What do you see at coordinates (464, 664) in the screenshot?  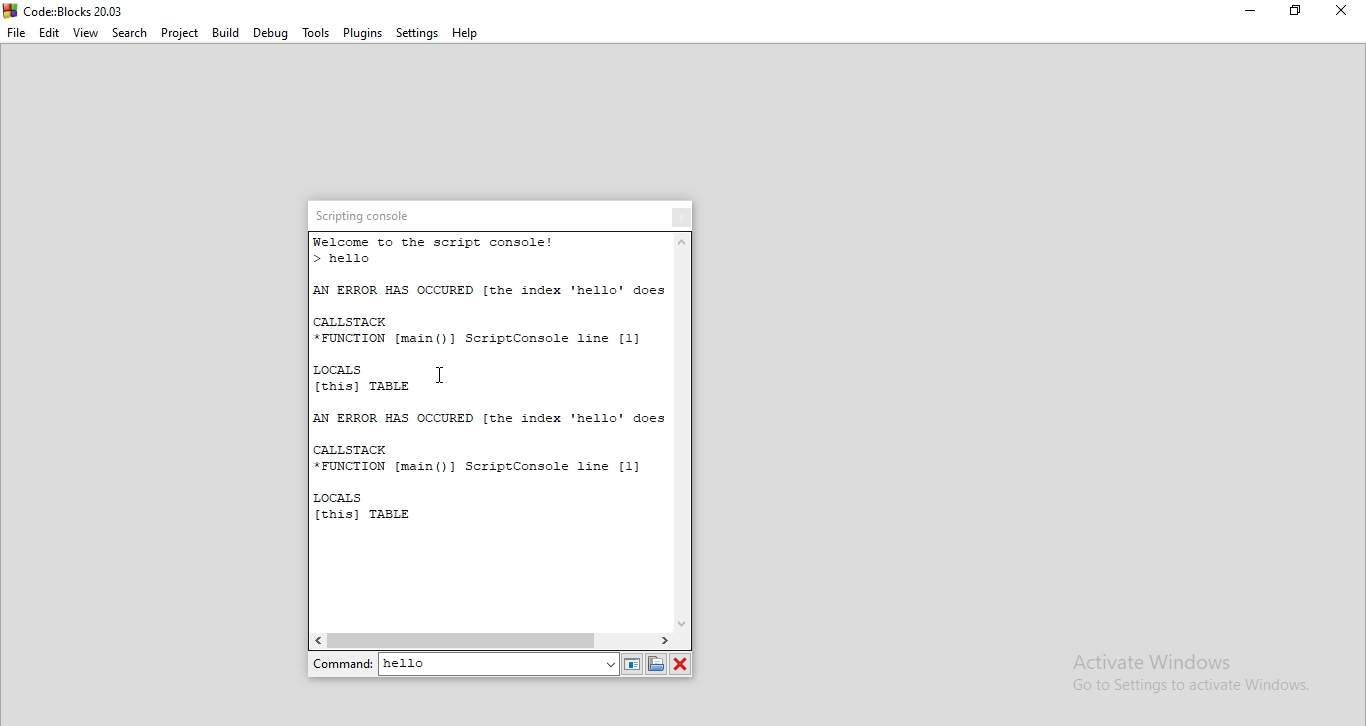 I see `command - hello` at bounding box center [464, 664].